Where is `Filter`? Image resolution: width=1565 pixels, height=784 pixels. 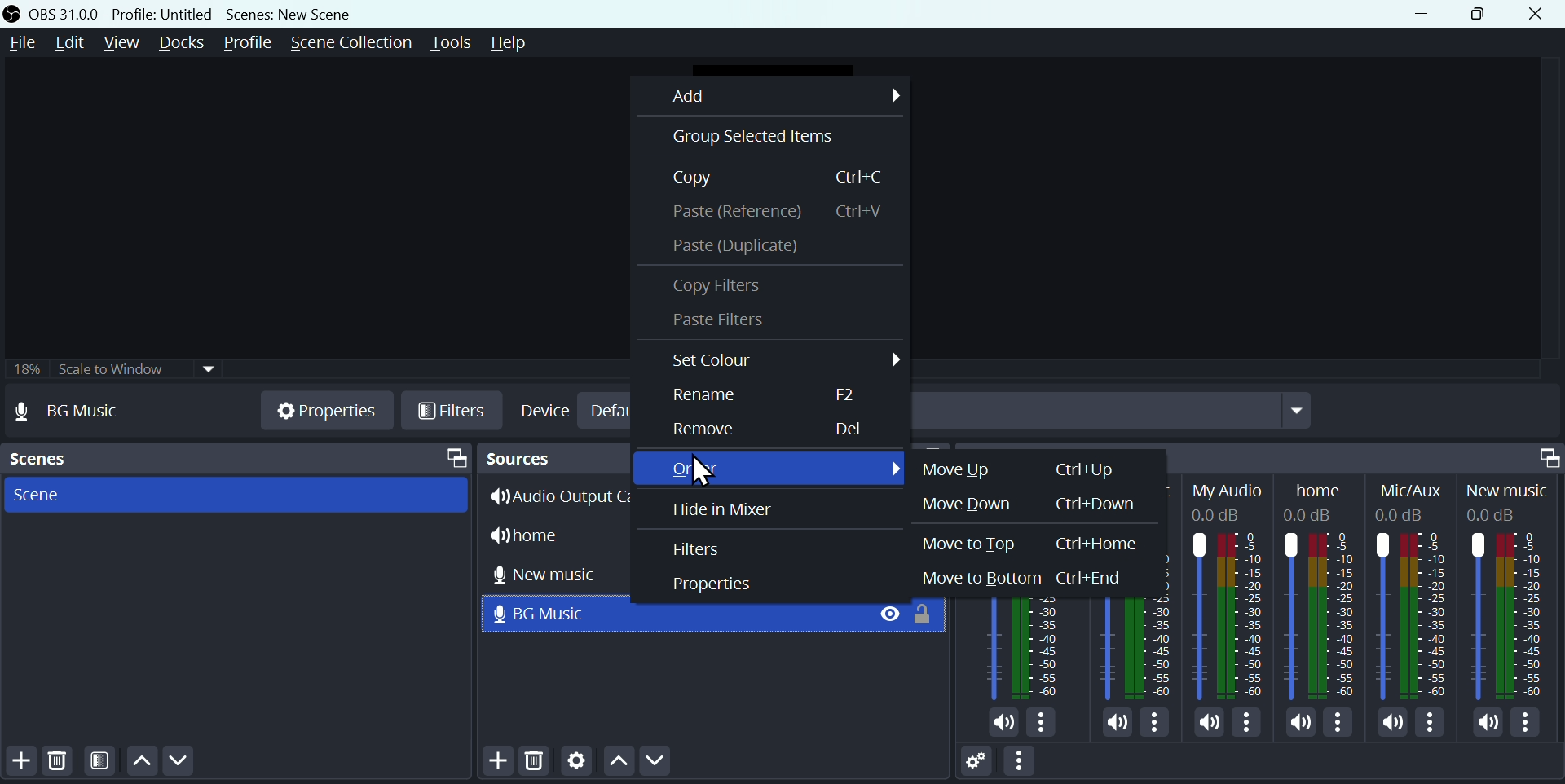 Filter is located at coordinates (451, 410).